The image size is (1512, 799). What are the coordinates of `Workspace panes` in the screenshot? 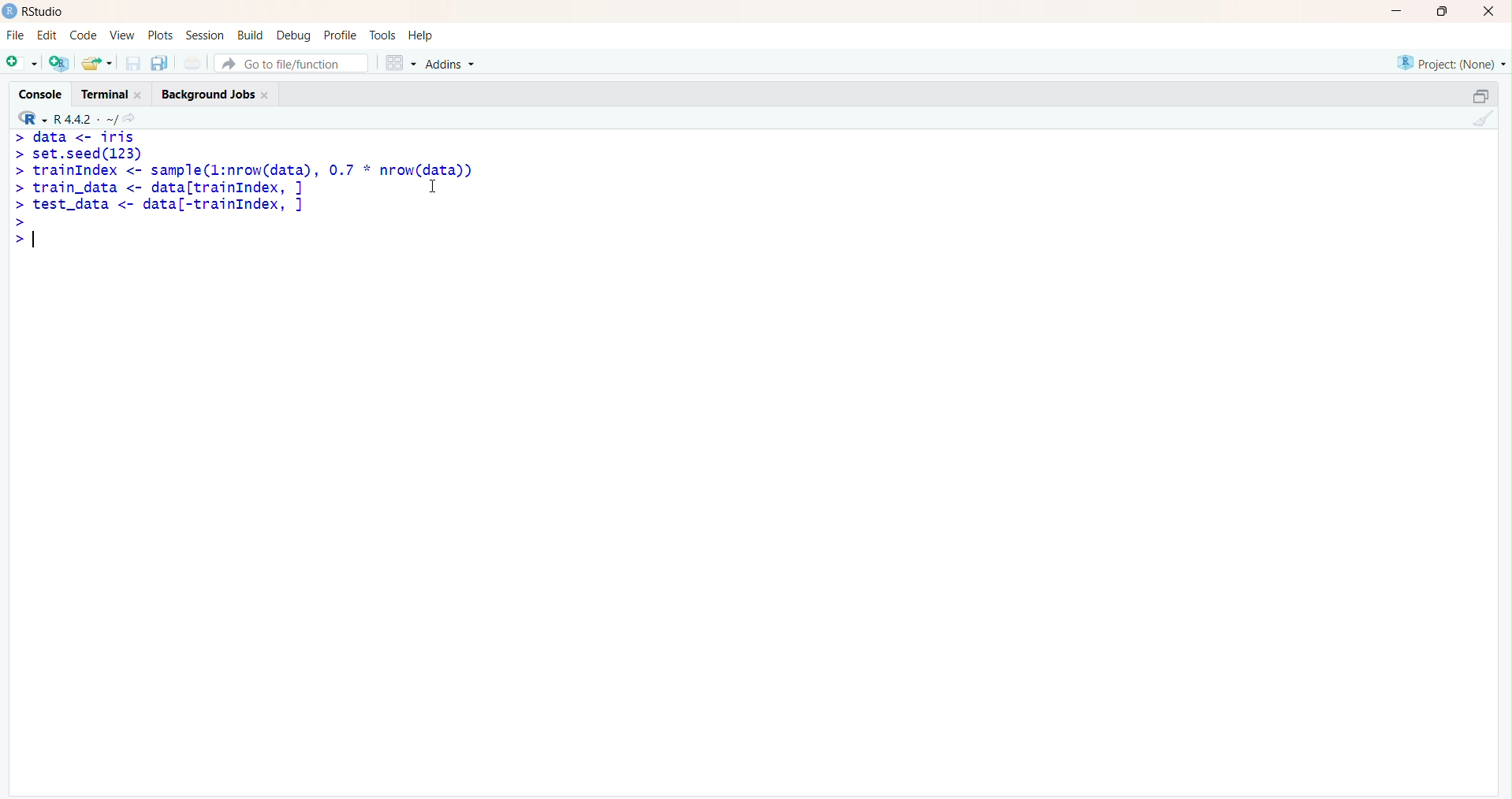 It's located at (397, 61).